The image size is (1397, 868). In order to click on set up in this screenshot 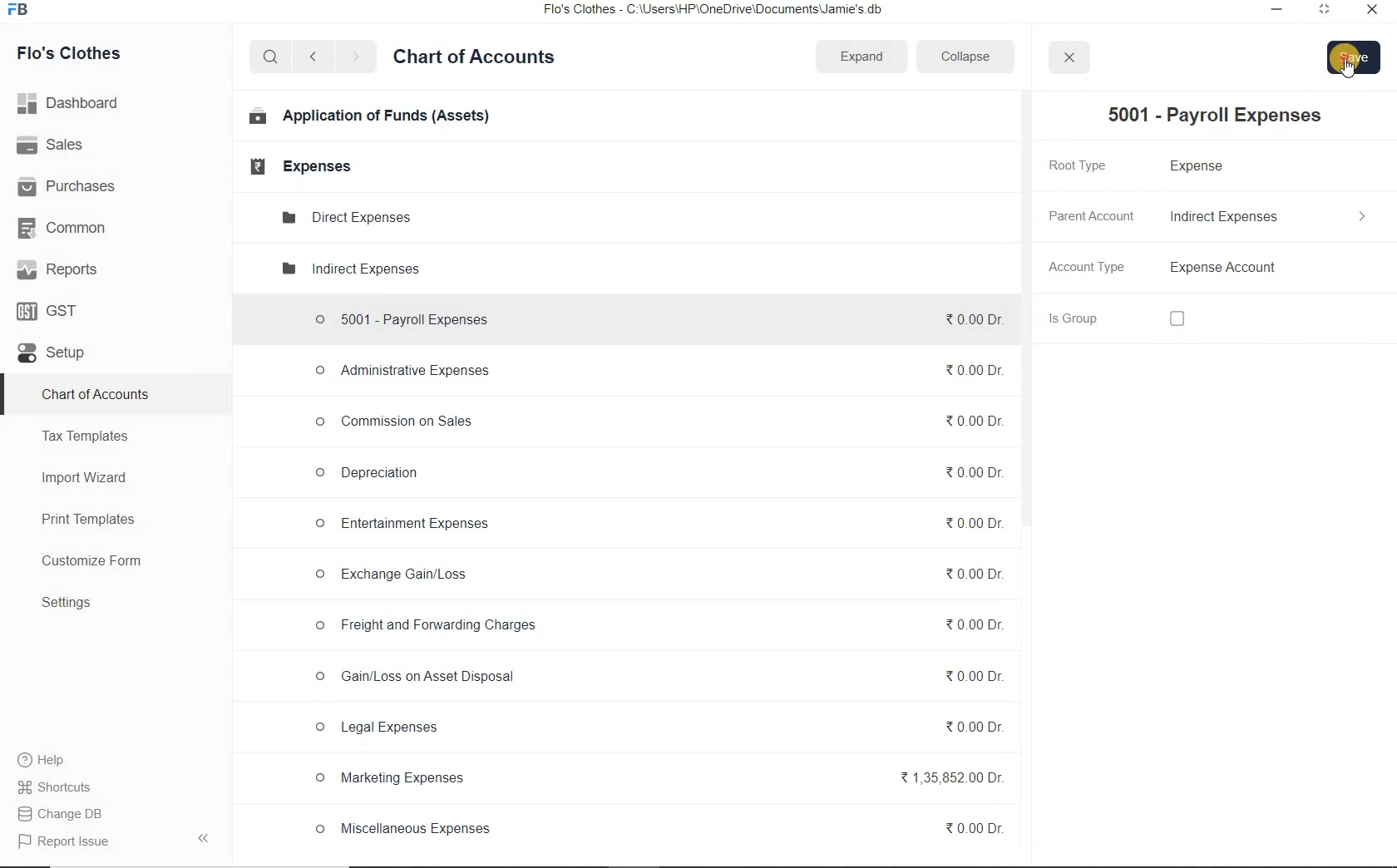, I will do `click(52, 354)`.